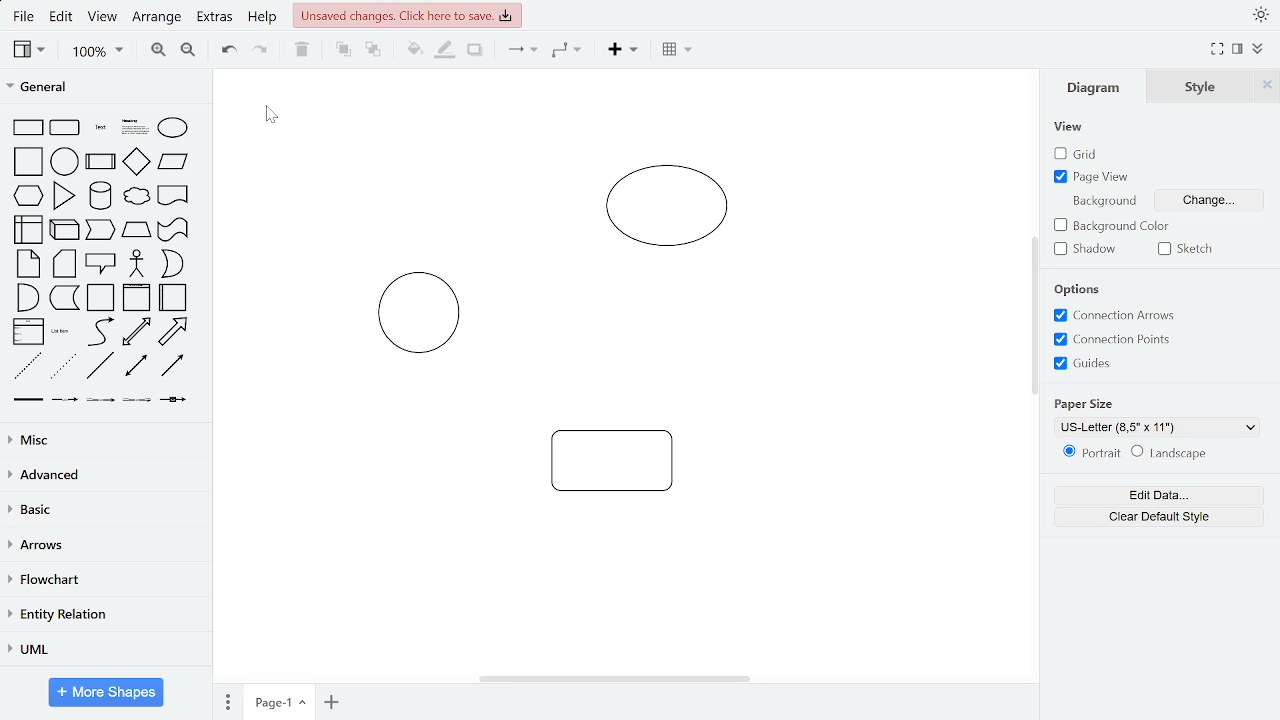 The width and height of the screenshot is (1280, 720). What do you see at coordinates (1098, 87) in the screenshot?
I see `diagram` at bounding box center [1098, 87].